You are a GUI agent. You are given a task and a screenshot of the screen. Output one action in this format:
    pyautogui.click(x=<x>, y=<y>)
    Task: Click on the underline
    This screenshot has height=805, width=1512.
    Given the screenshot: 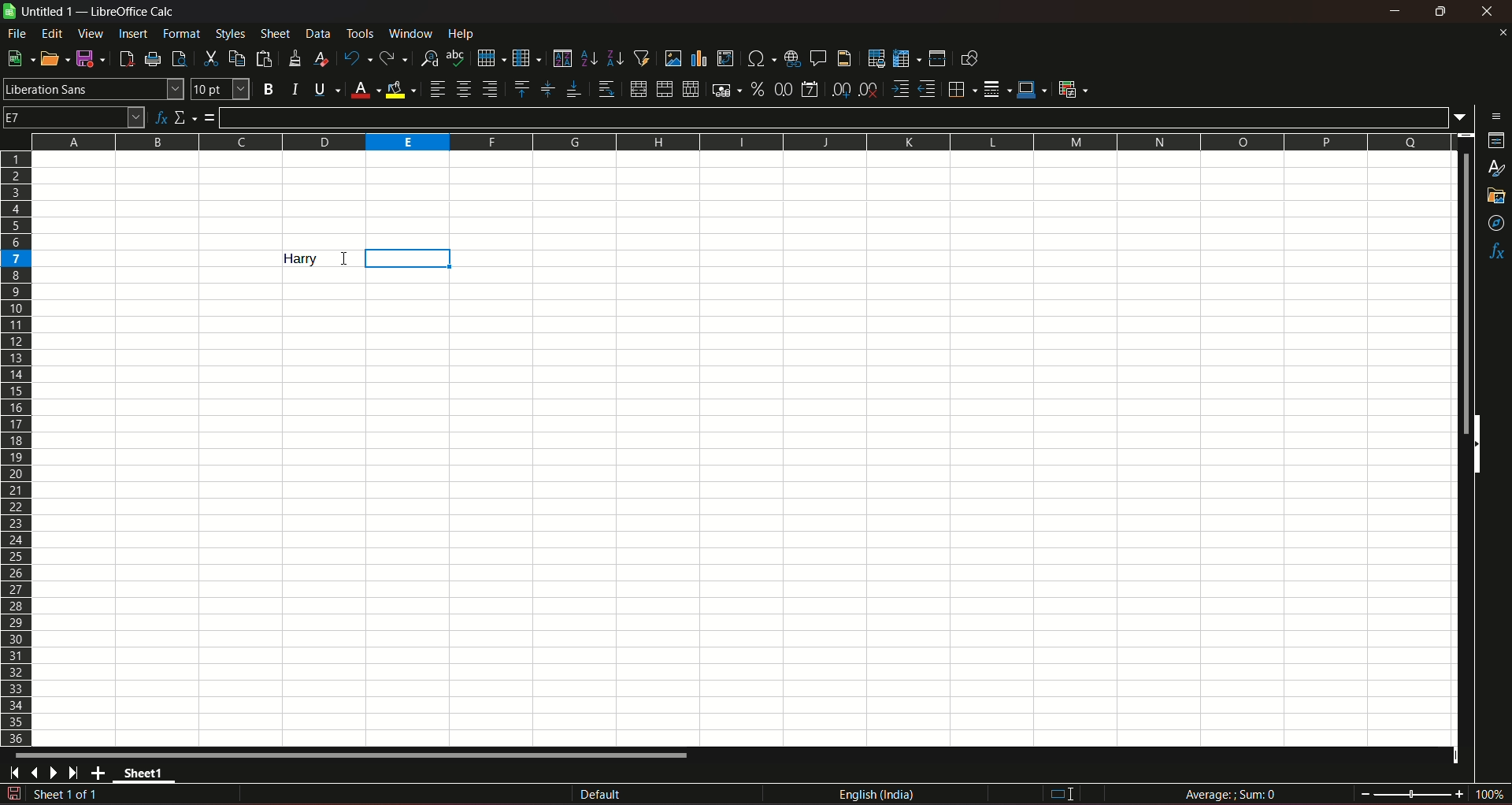 What is the action you would take?
    pyautogui.click(x=326, y=89)
    